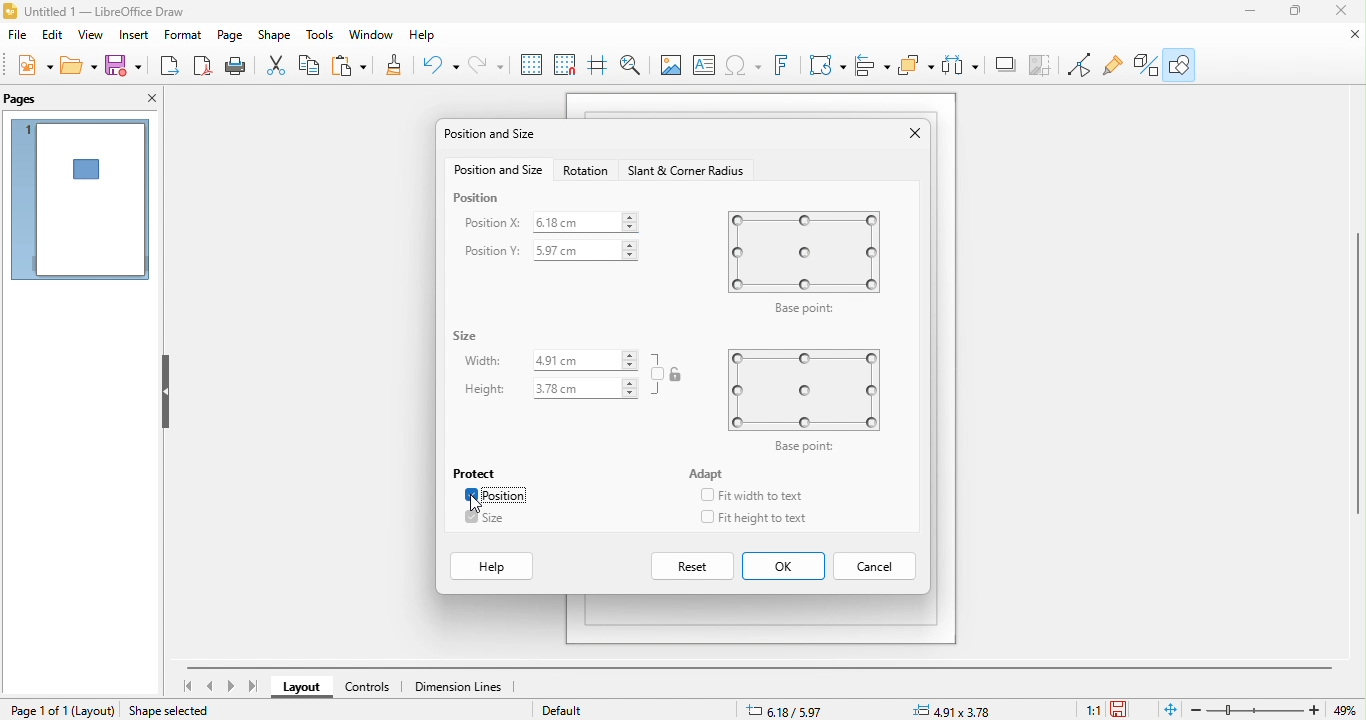  Describe the element at coordinates (477, 471) in the screenshot. I see `protect` at that location.